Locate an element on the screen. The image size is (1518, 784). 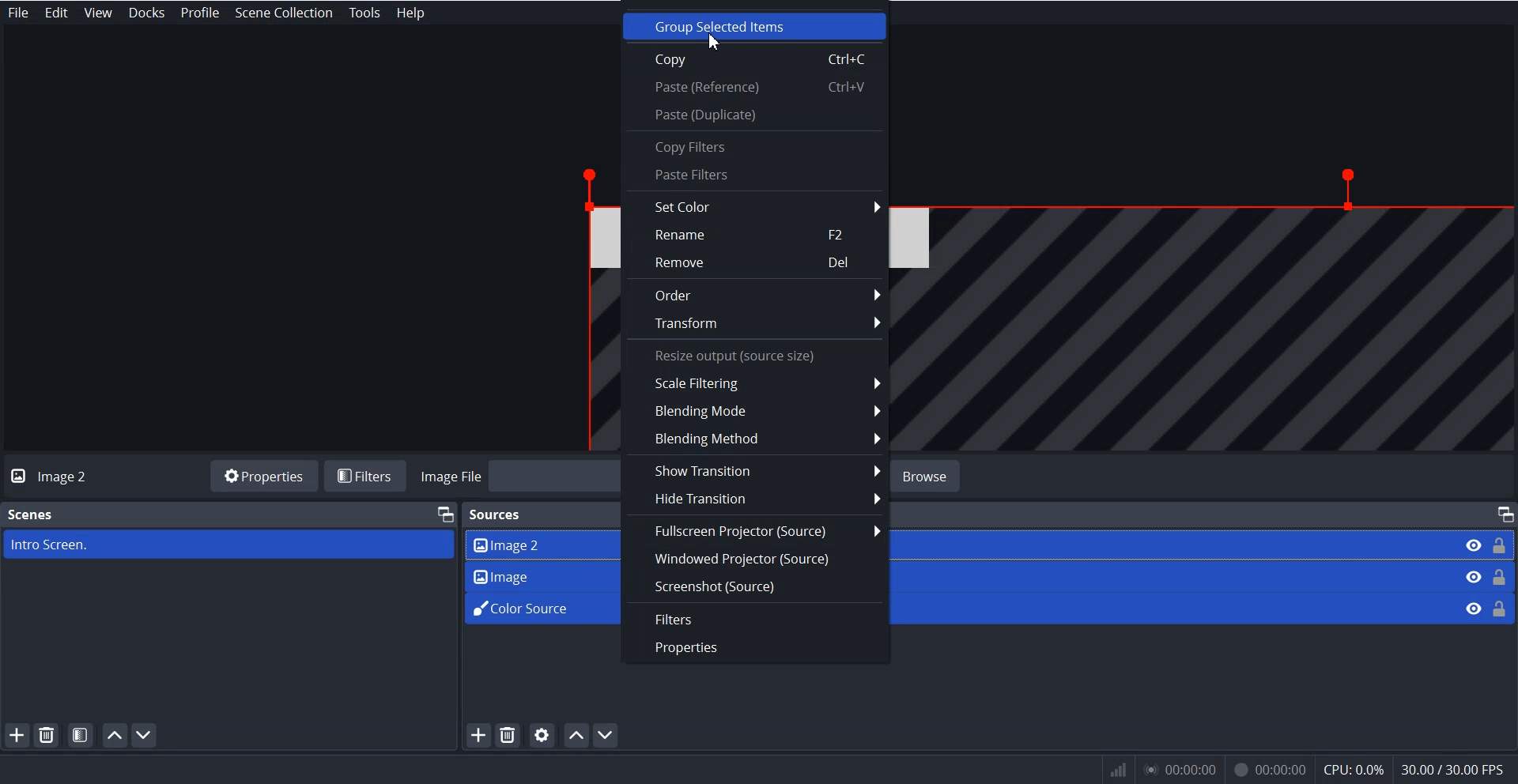
Image File Browse is located at coordinates (515, 476).